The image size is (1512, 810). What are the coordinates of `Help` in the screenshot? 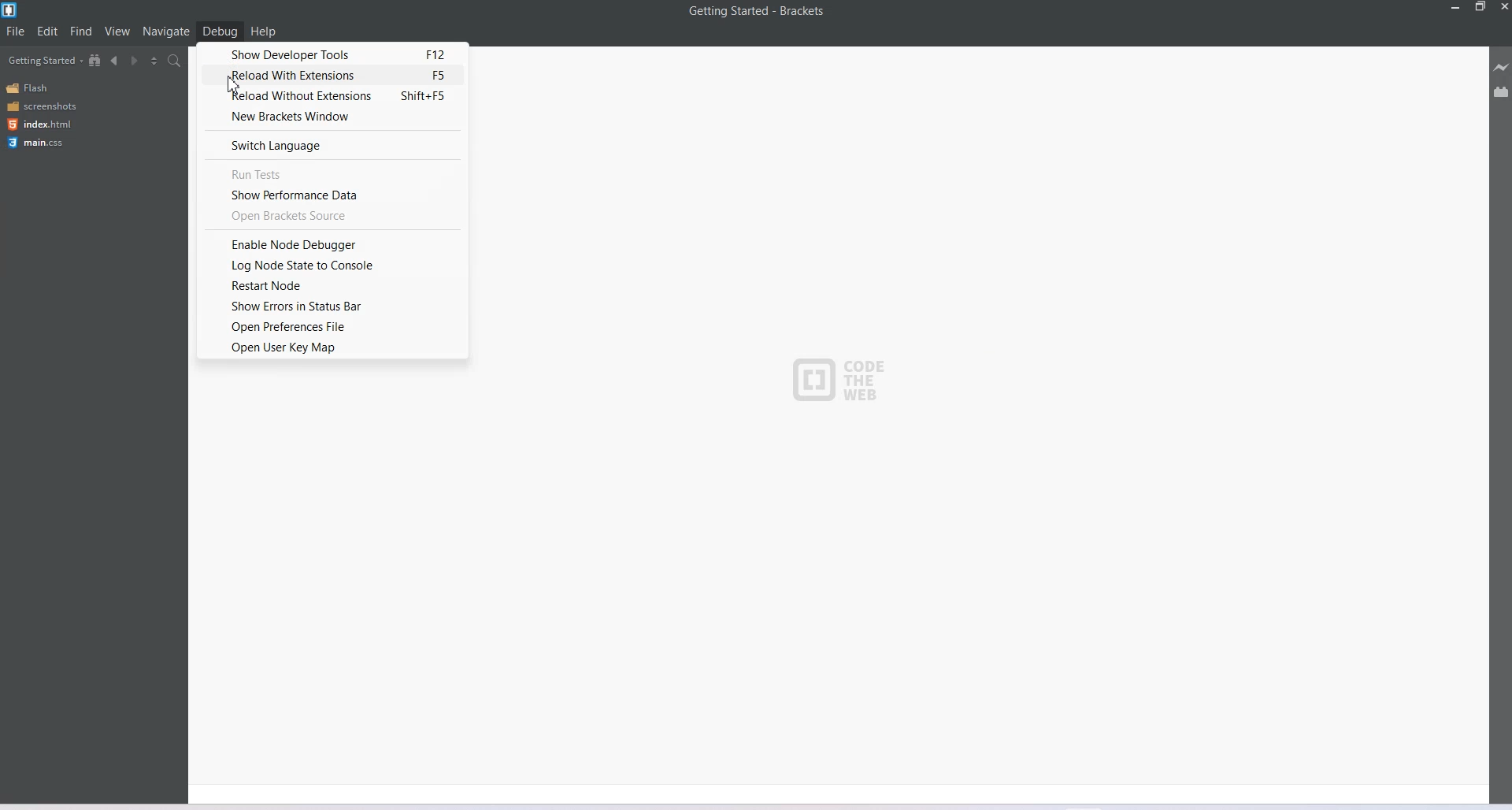 It's located at (263, 32).